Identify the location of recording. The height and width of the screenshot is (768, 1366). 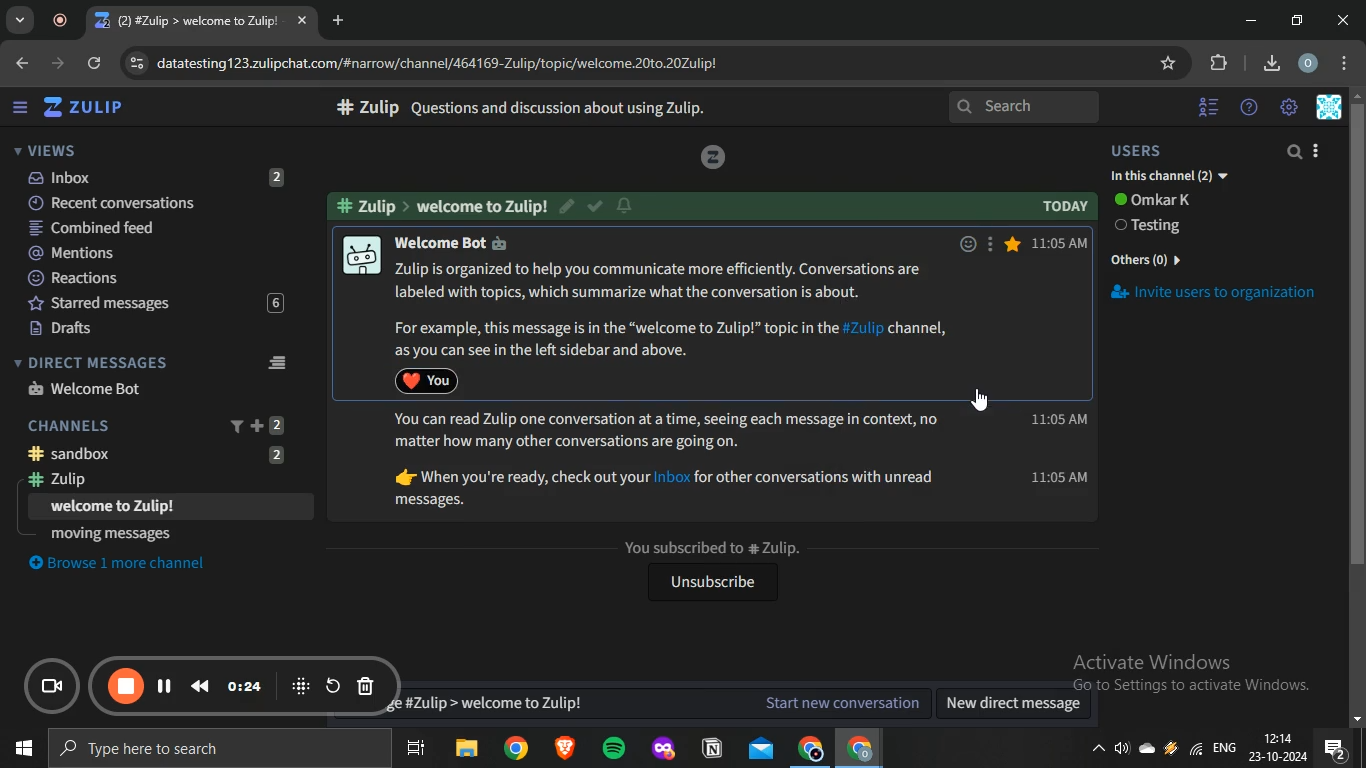
(65, 21).